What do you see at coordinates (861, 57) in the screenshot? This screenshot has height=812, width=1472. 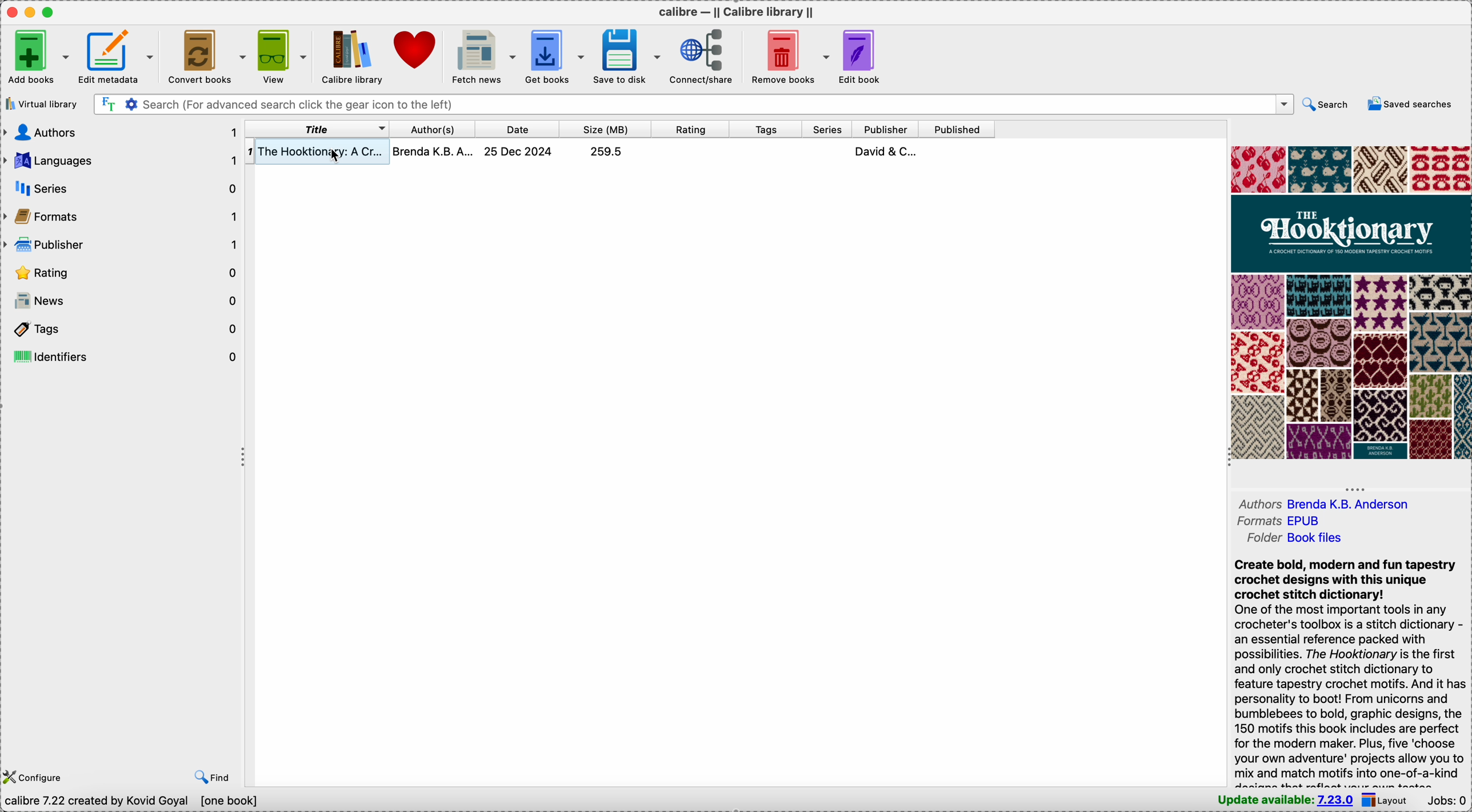 I see `edit book` at bounding box center [861, 57].